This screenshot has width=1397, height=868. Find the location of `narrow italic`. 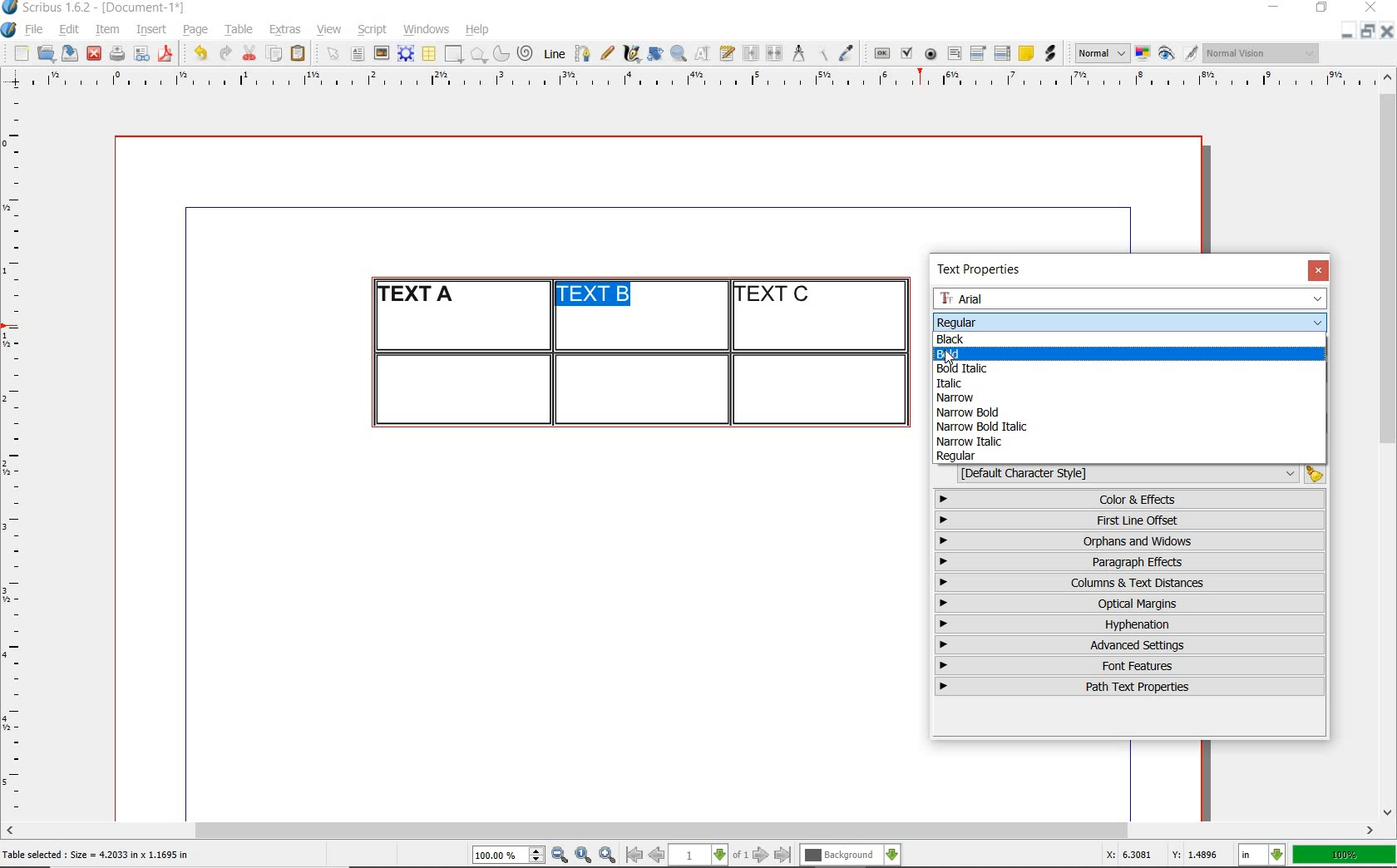

narrow italic is located at coordinates (969, 441).